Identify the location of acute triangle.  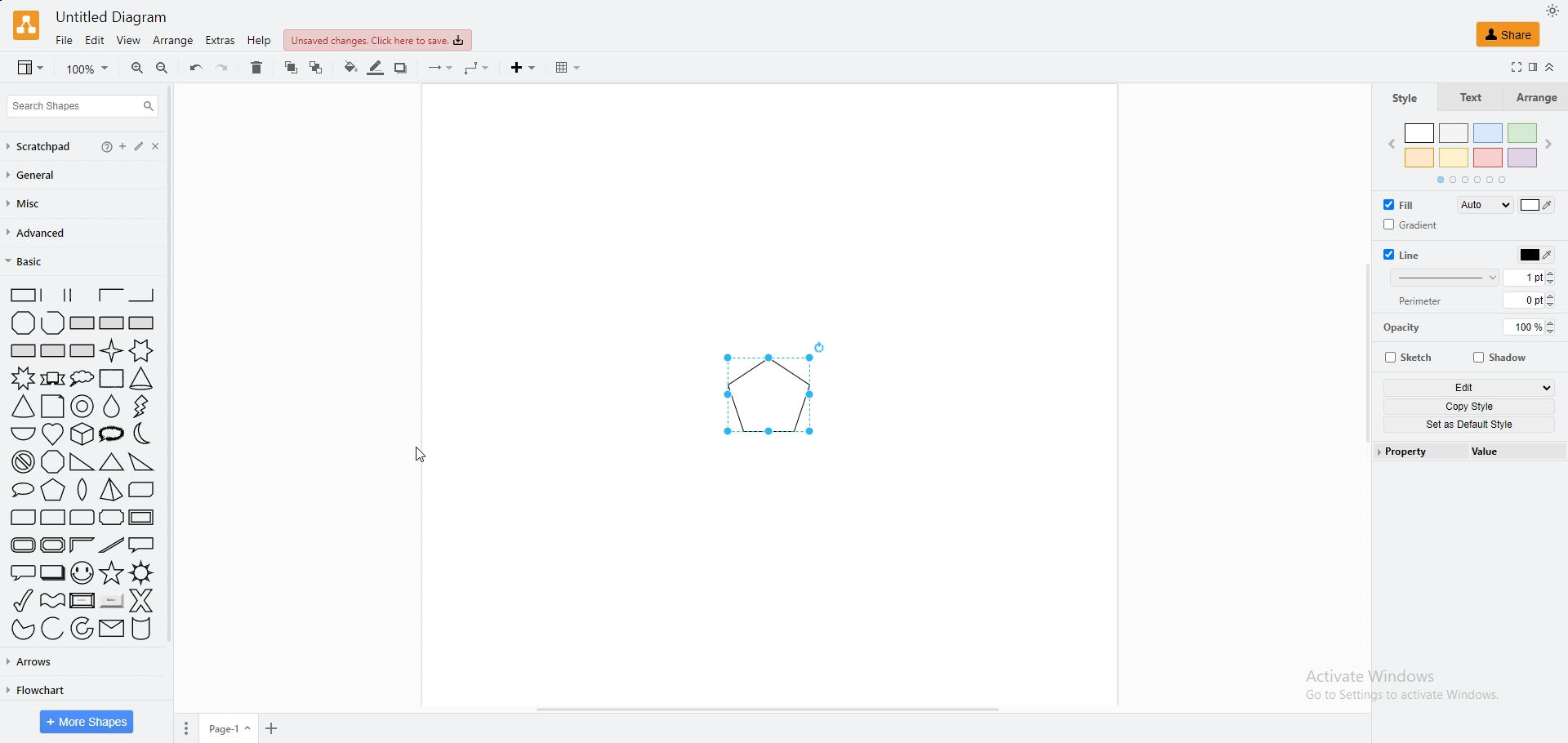
(112, 462).